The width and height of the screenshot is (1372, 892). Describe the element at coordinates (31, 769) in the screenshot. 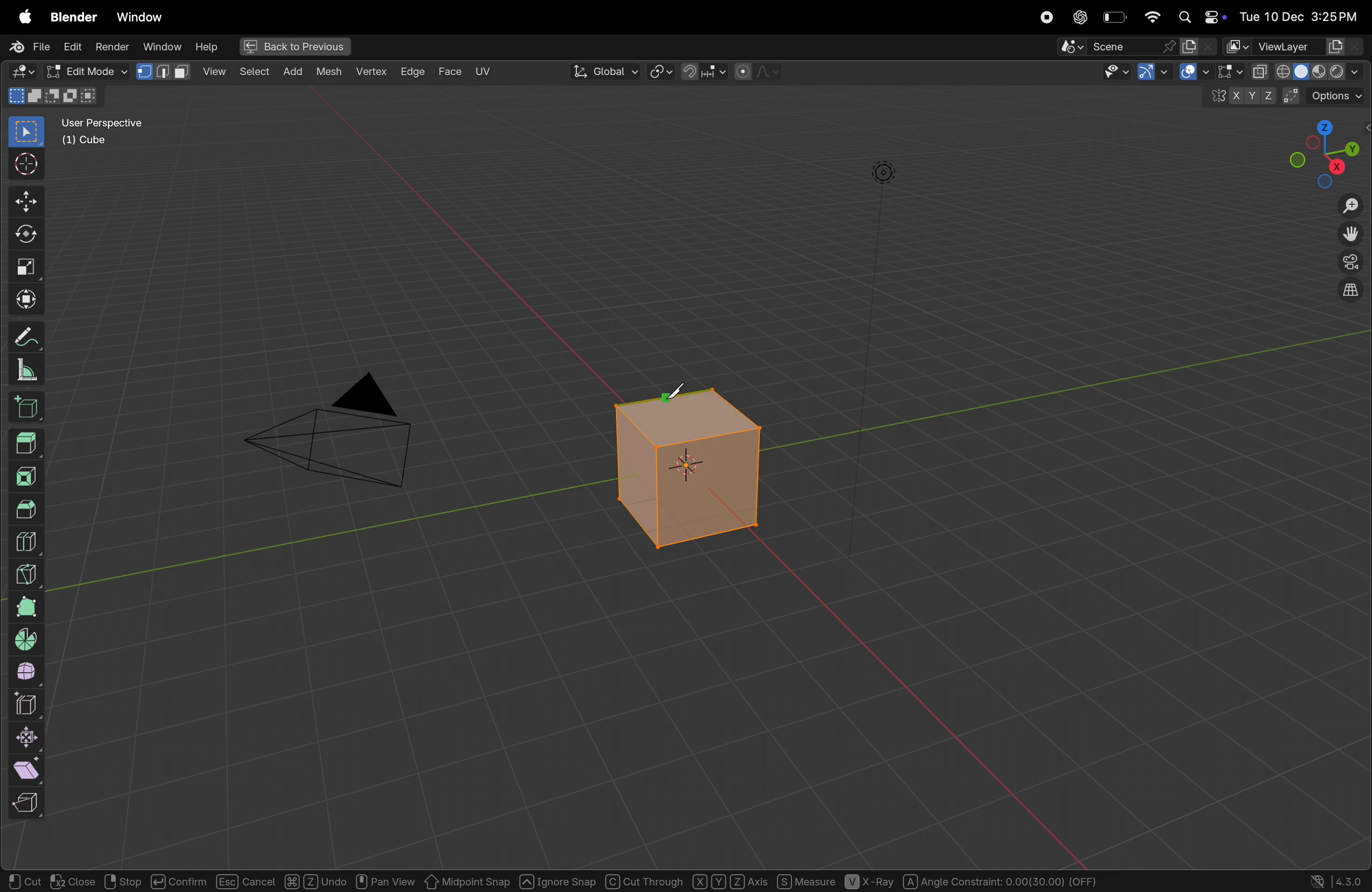

I see `sheer` at that location.